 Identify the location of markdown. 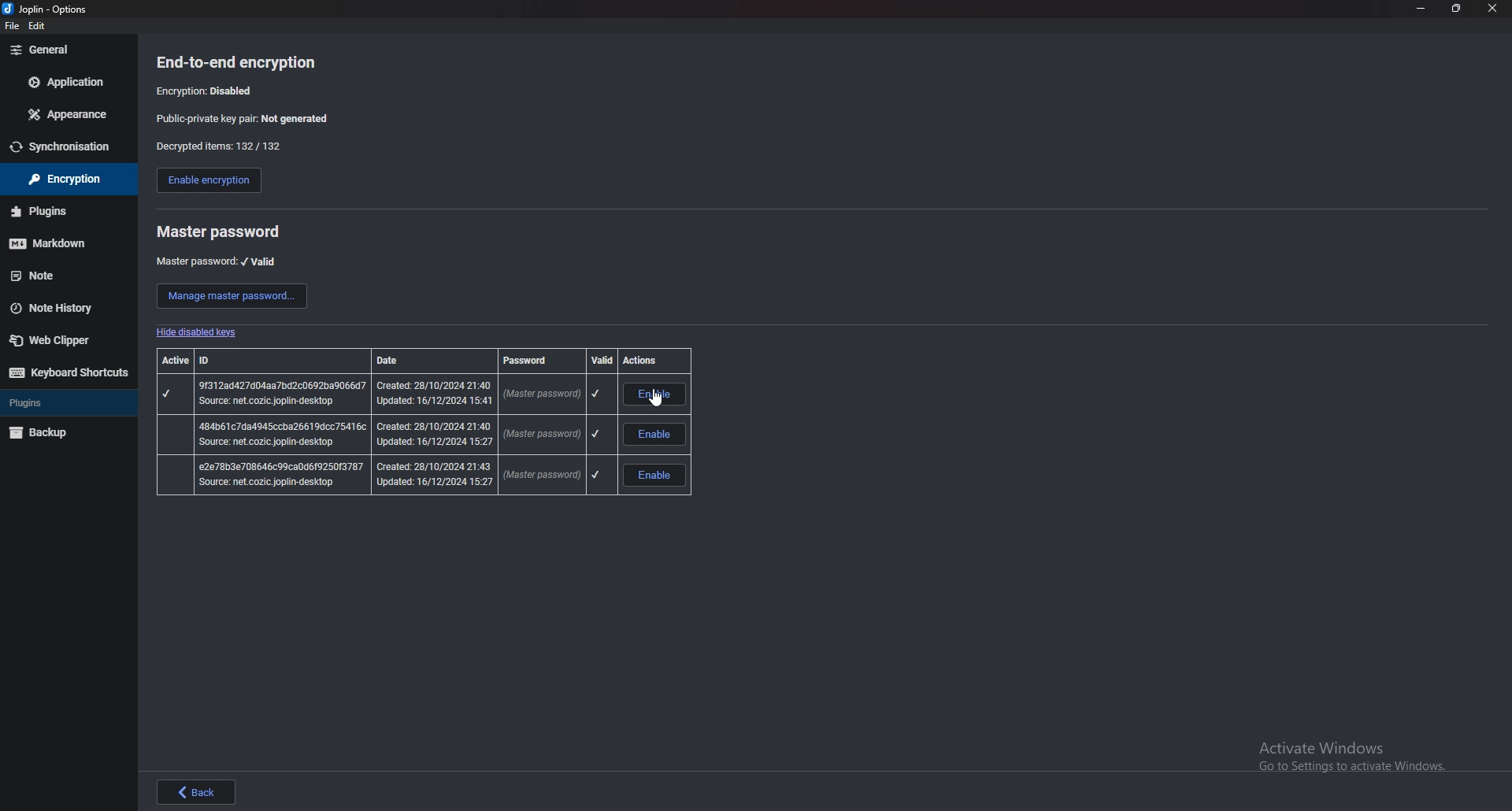
(63, 243).